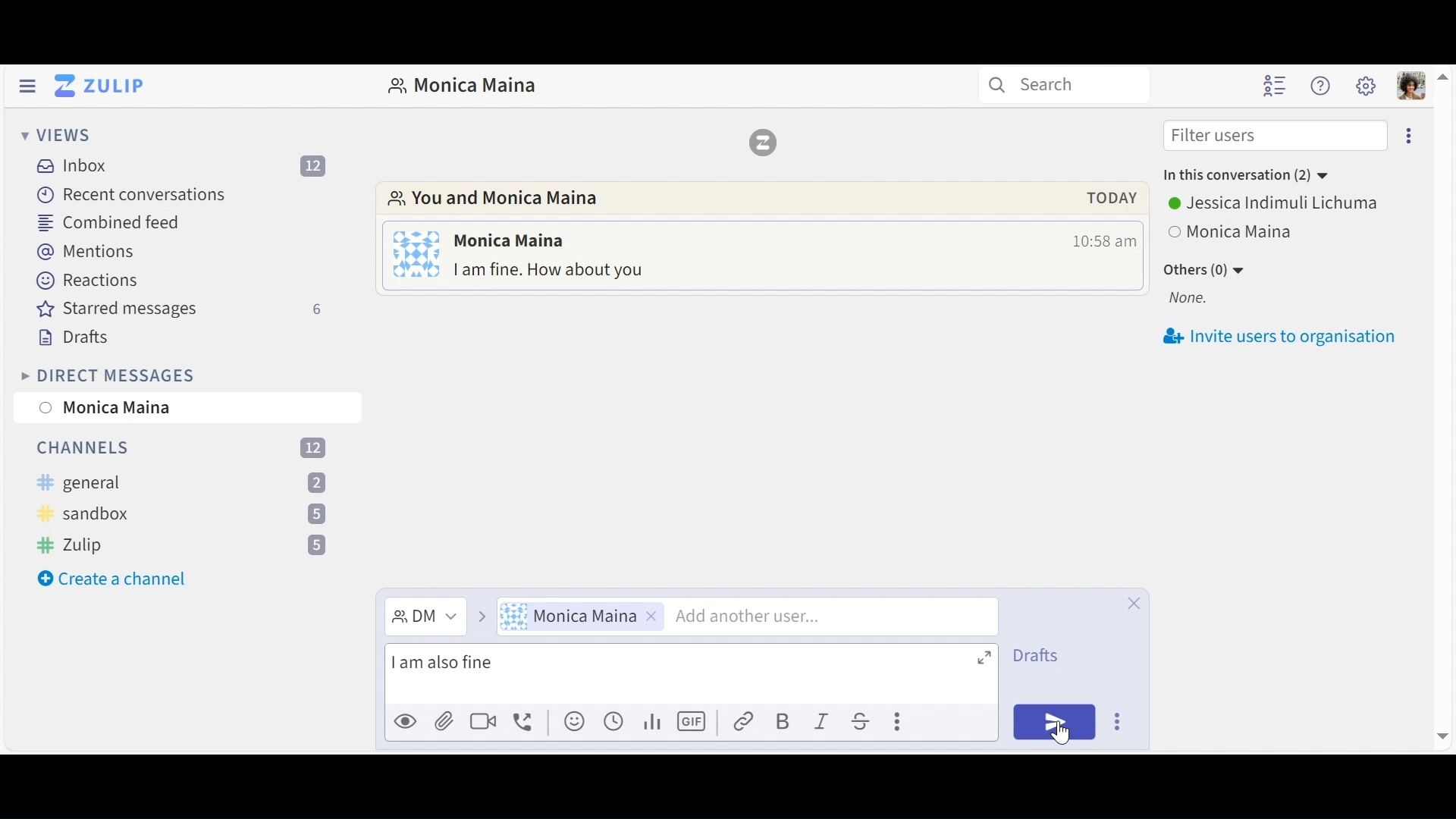  I want to click on None, so click(1201, 297).